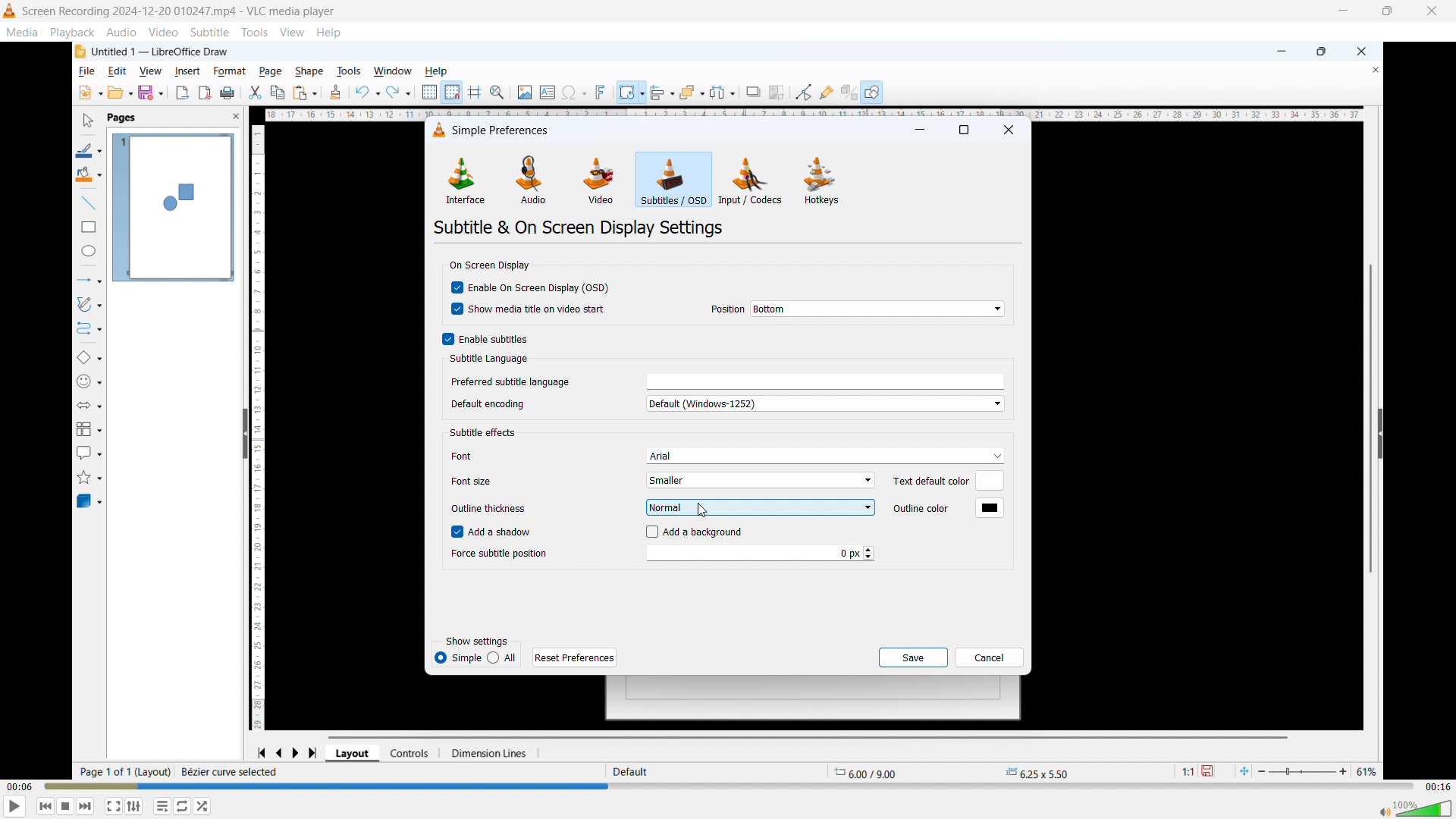  What do you see at coordinates (751, 181) in the screenshot?
I see `Input or codecs ` at bounding box center [751, 181].